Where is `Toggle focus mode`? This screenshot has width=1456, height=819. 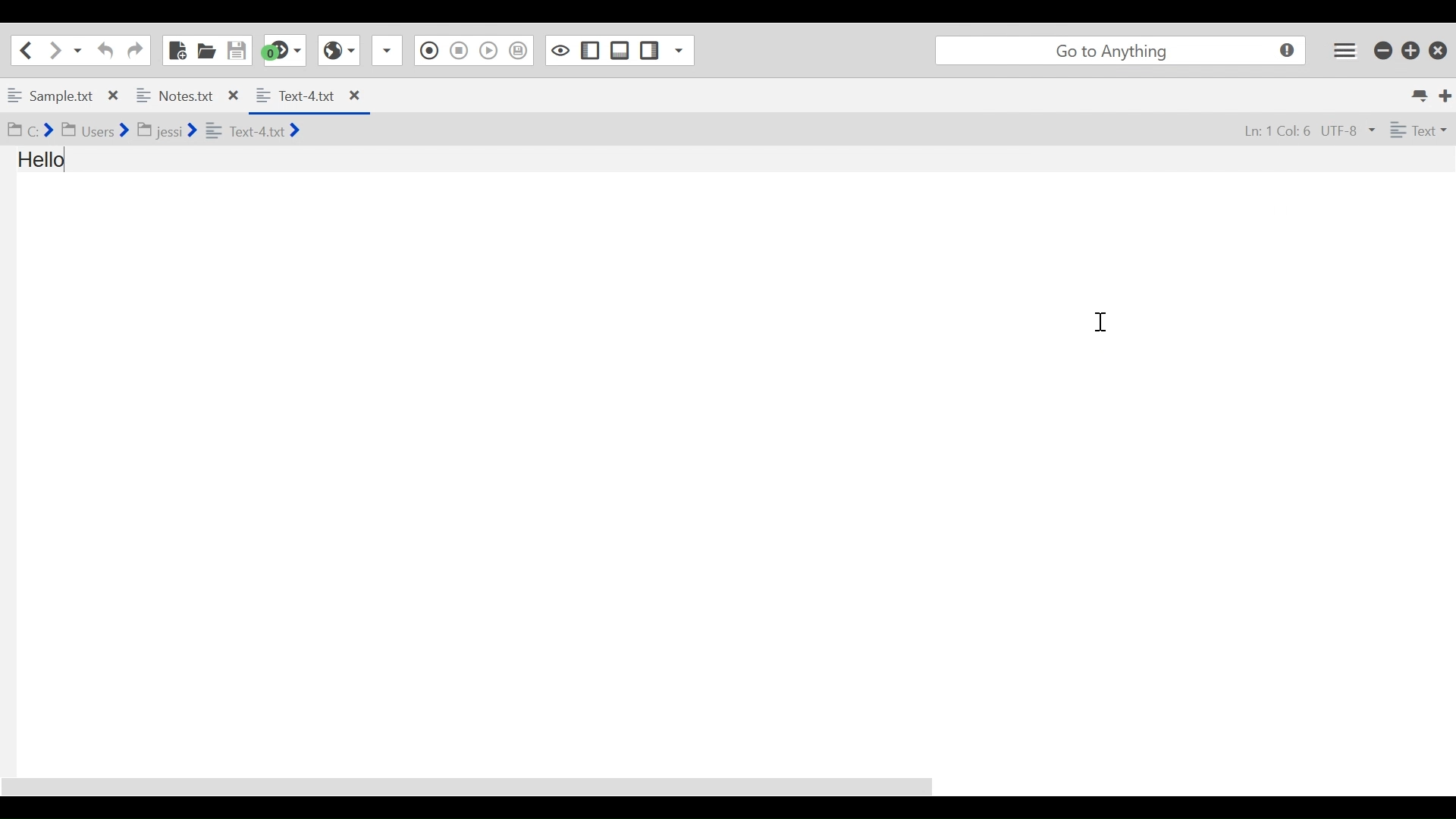 Toggle focus mode is located at coordinates (560, 51).